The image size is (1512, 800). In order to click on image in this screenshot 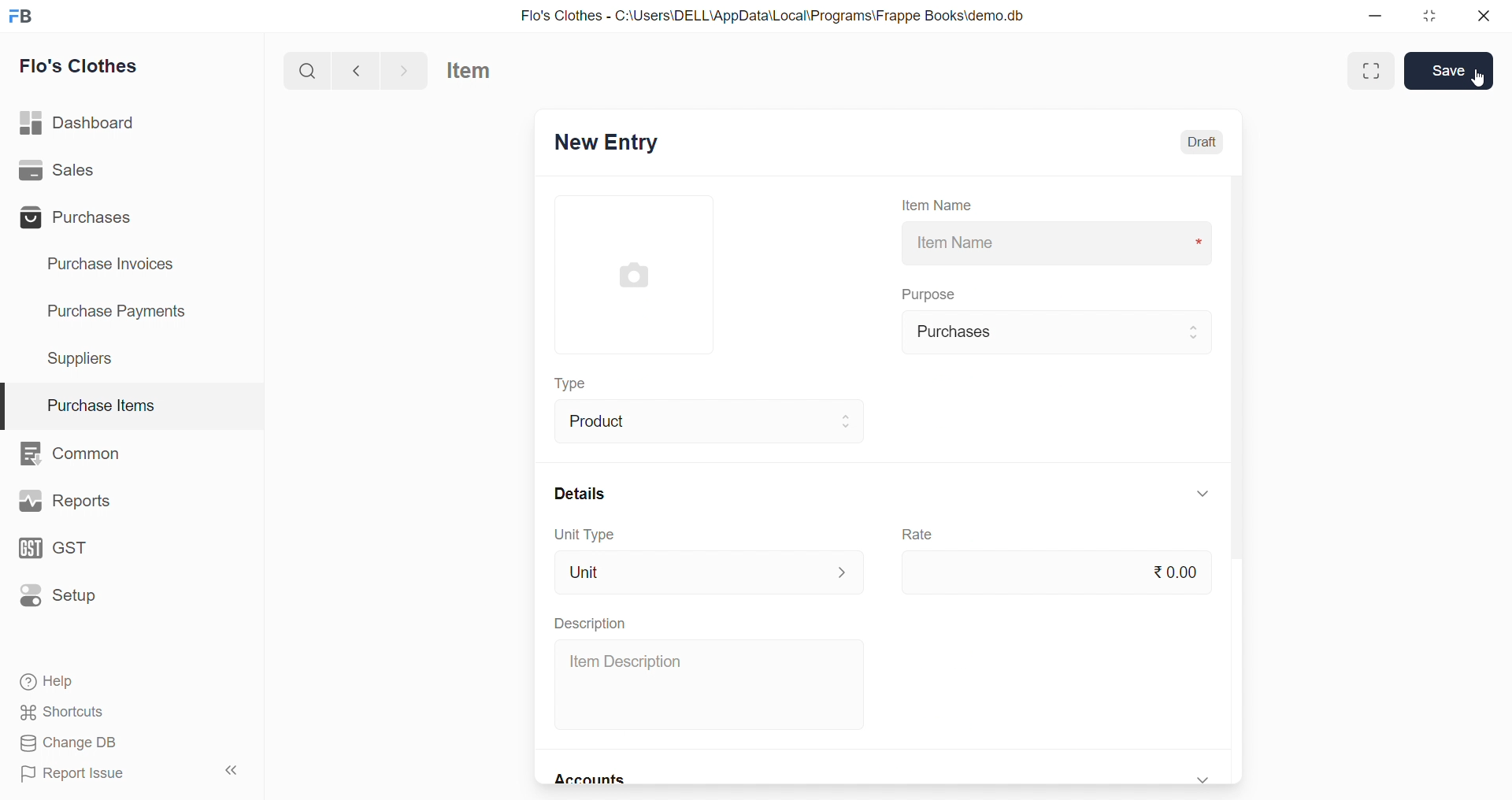, I will do `click(637, 275)`.